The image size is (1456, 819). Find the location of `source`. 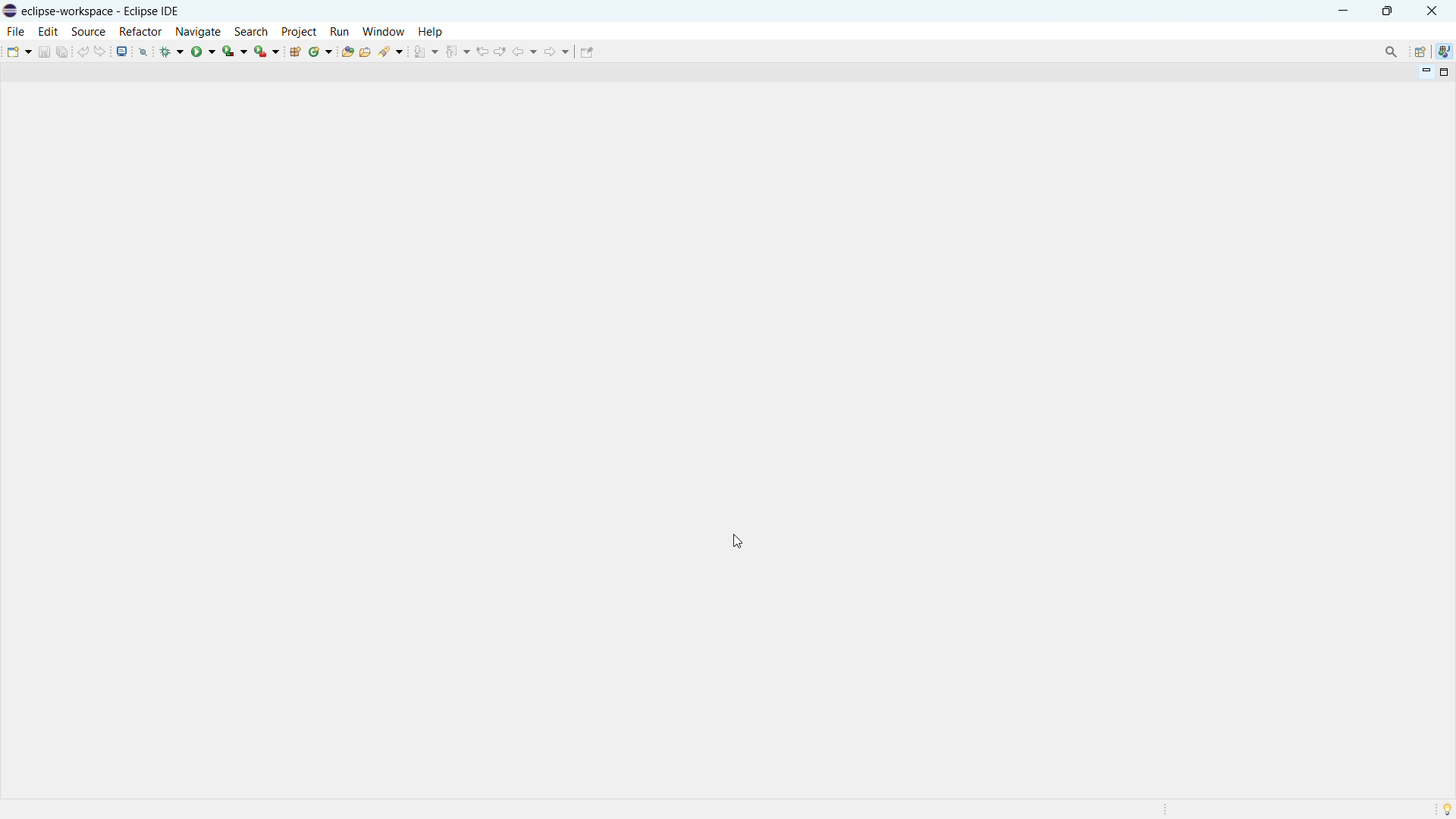

source is located at coordinates (88, 32).